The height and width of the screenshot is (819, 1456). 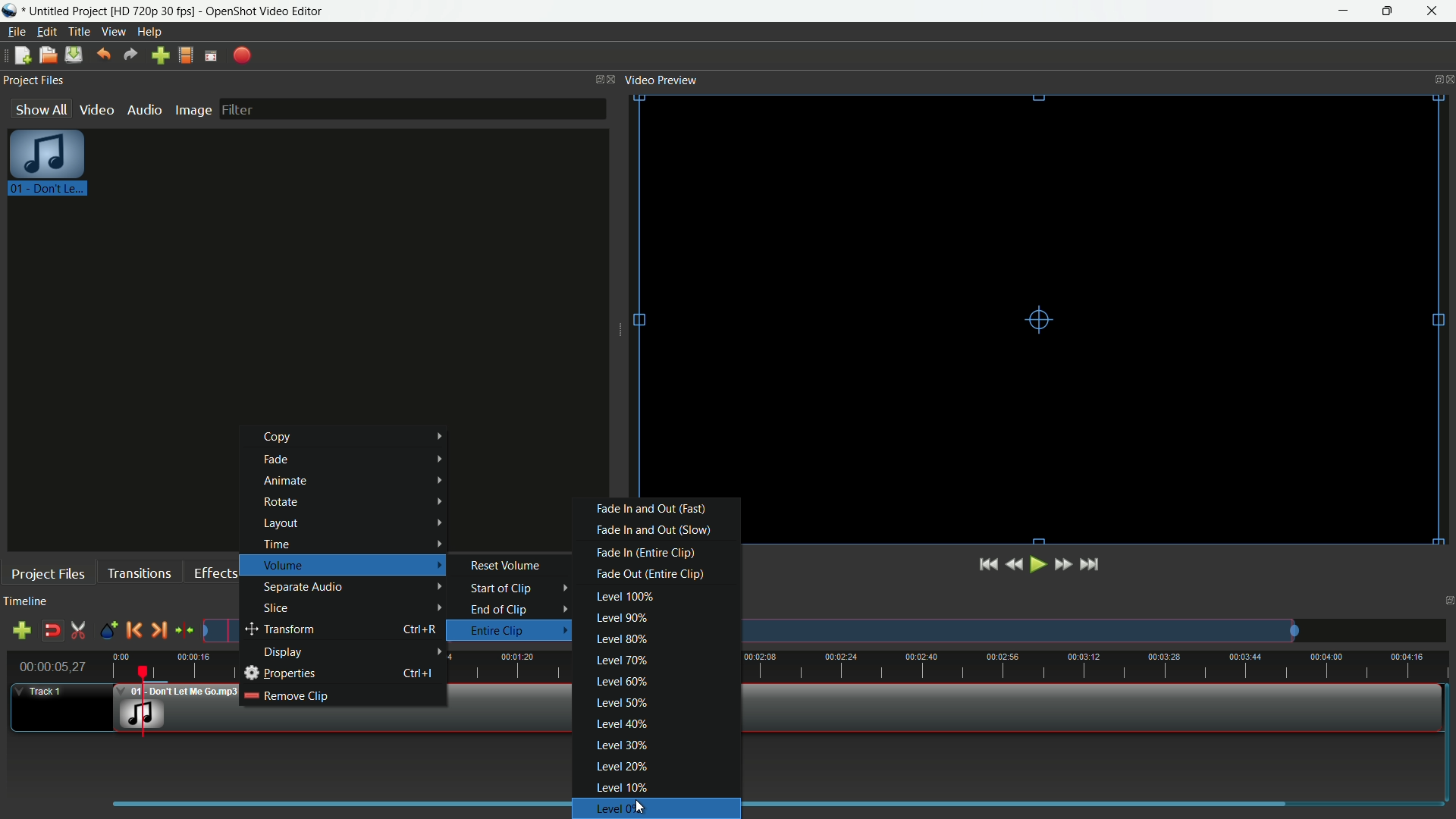 I want to click on app name, so click(x=265, y=11).